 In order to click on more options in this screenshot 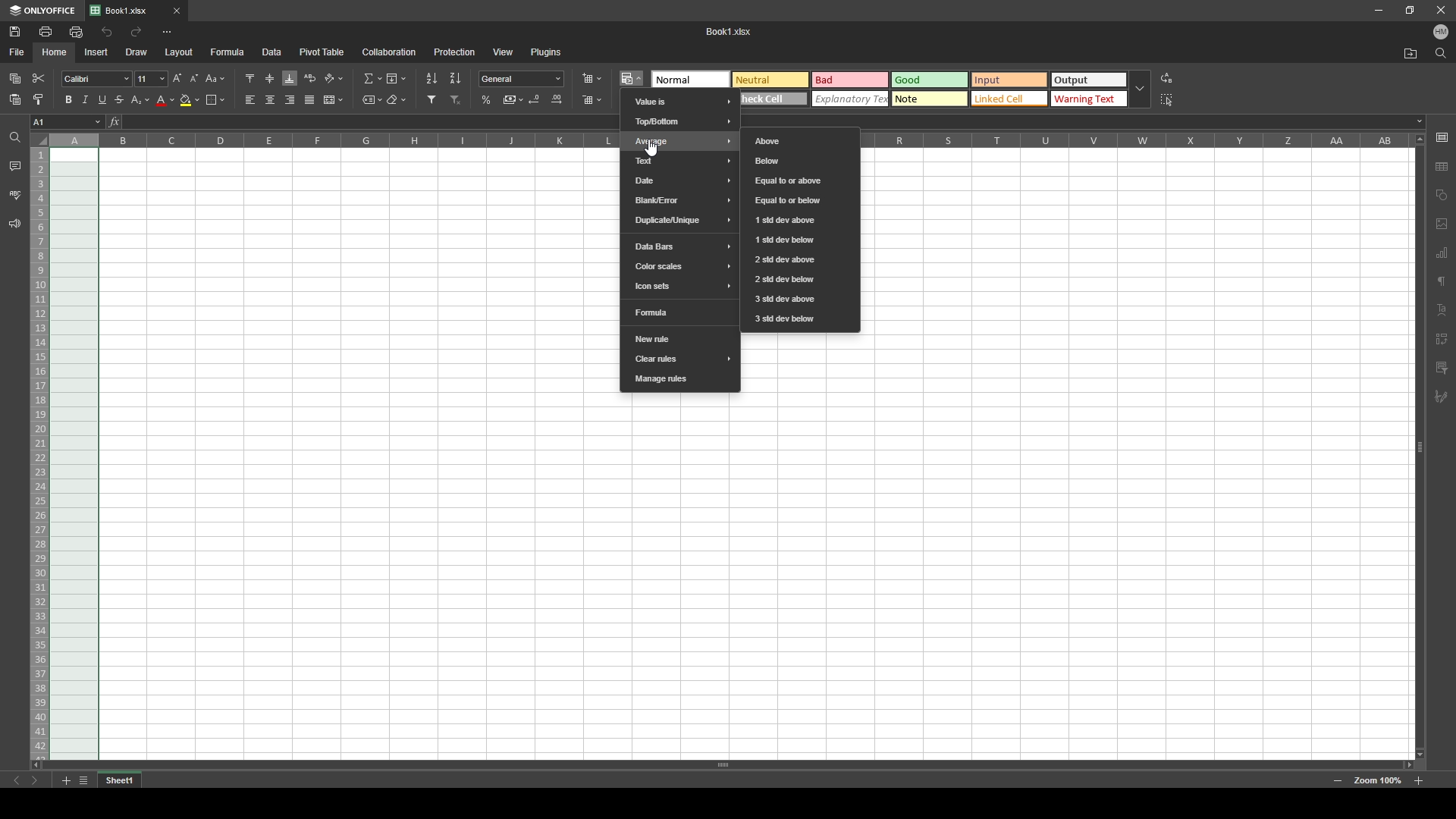, I will do `click(167, 32)`.